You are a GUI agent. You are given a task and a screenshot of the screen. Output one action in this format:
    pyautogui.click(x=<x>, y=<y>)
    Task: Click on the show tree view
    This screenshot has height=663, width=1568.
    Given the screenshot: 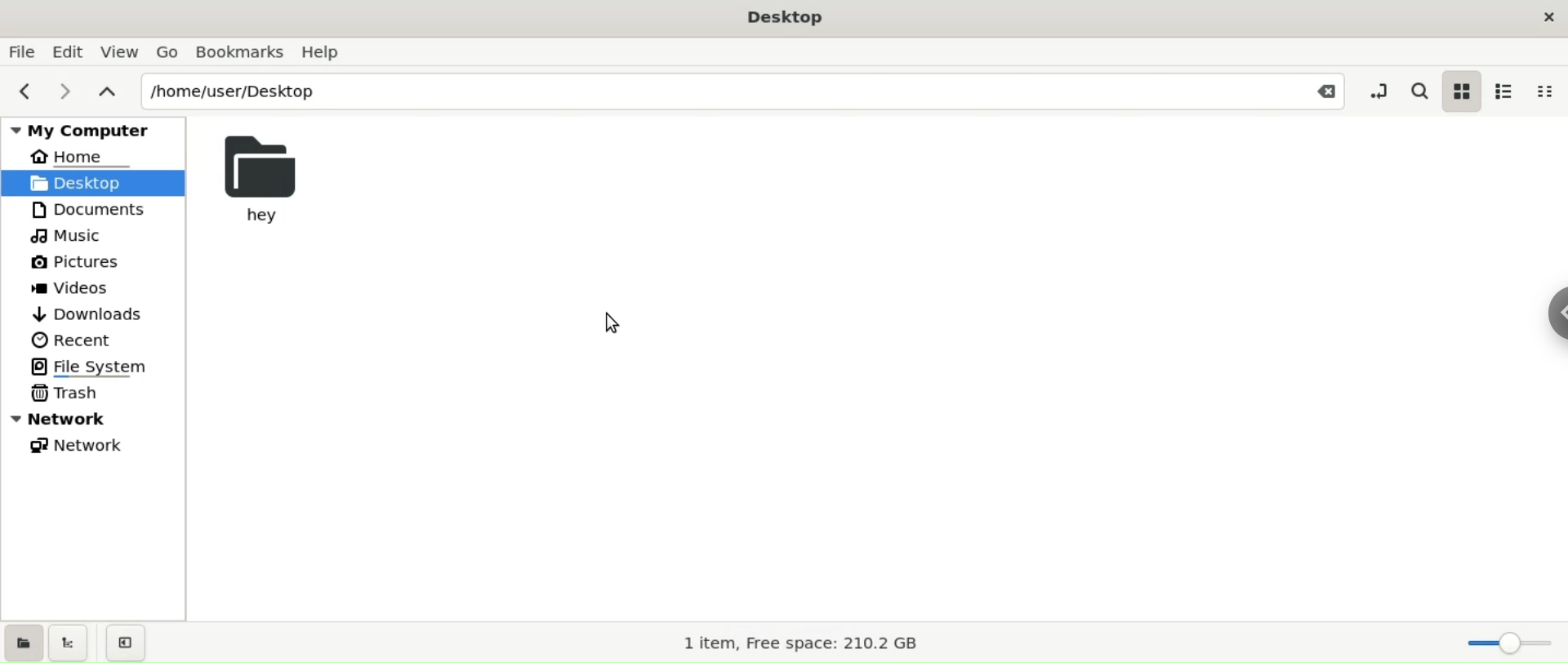 What is the action you would take?
    pyautogui.click(x=74, y=643)
    